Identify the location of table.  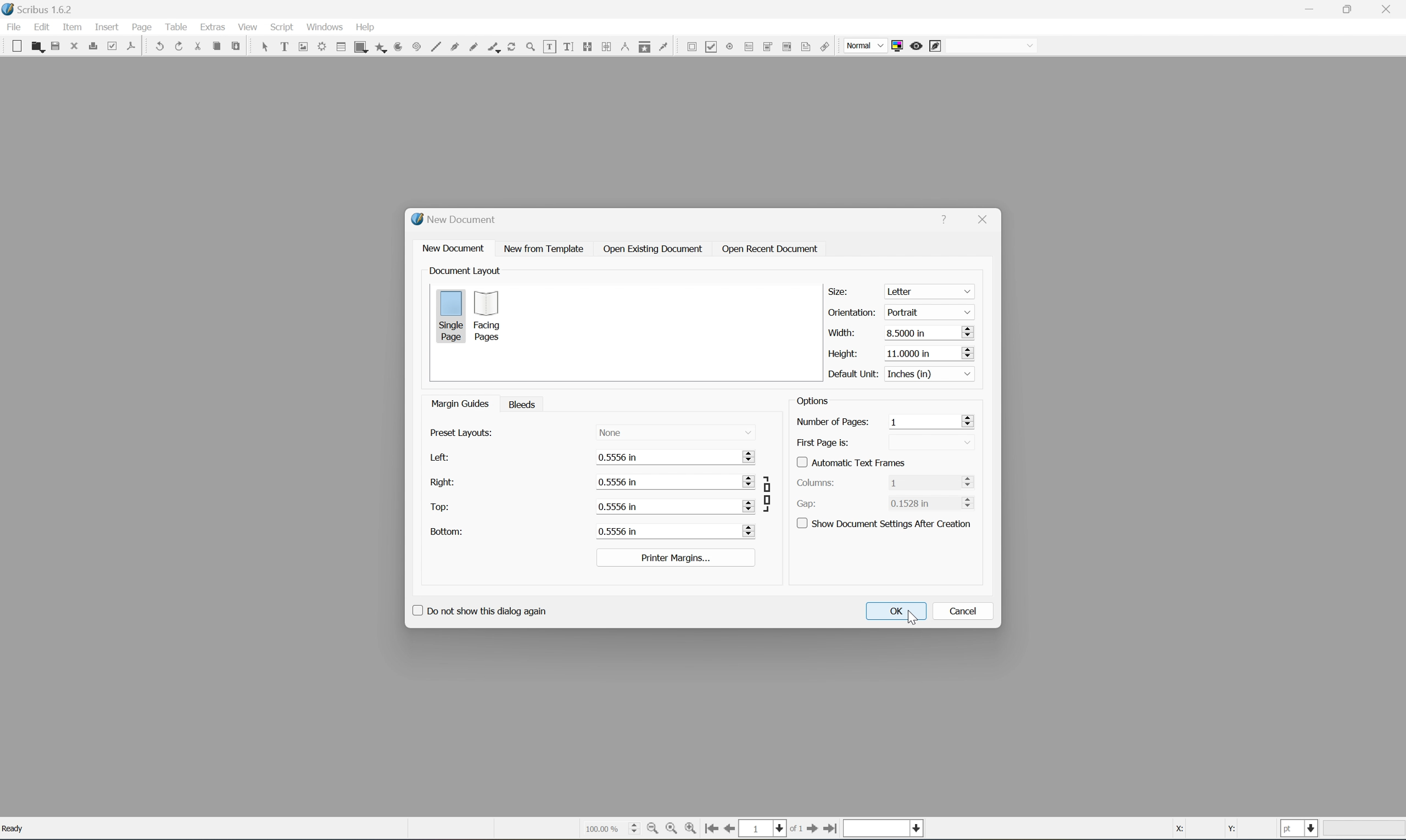
(340, 48).